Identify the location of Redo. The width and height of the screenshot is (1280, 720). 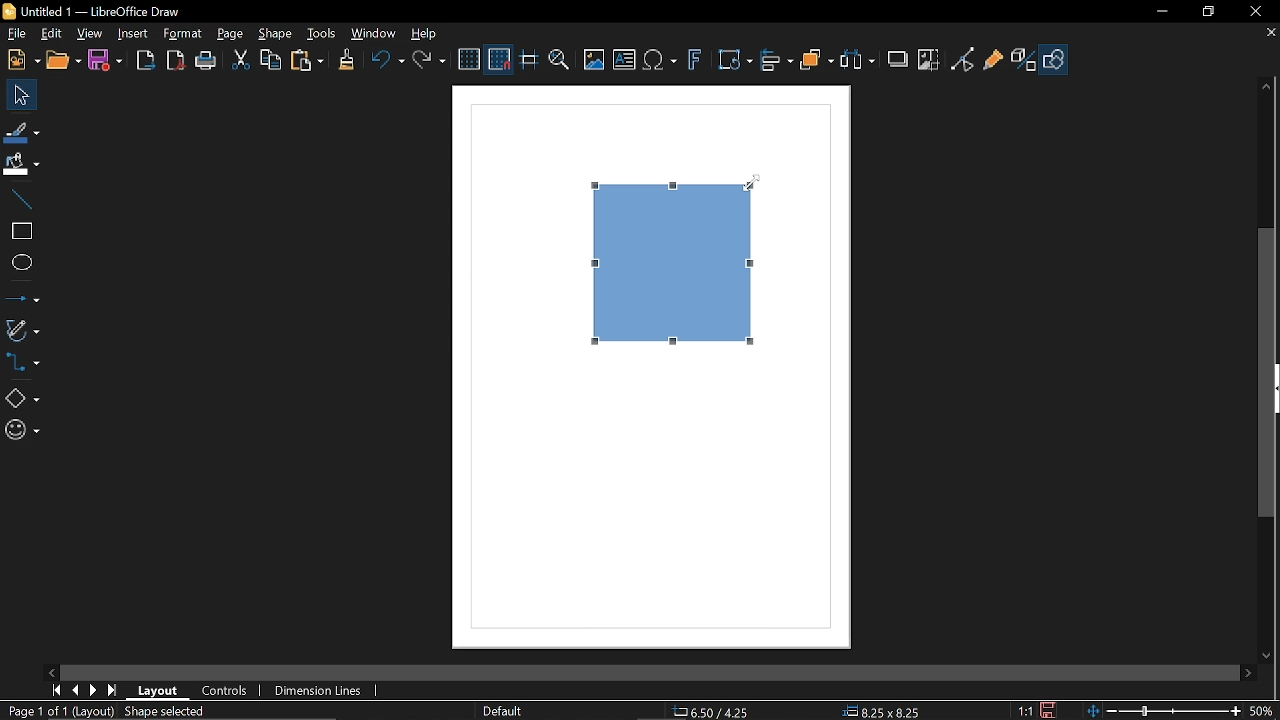
(431, 60).